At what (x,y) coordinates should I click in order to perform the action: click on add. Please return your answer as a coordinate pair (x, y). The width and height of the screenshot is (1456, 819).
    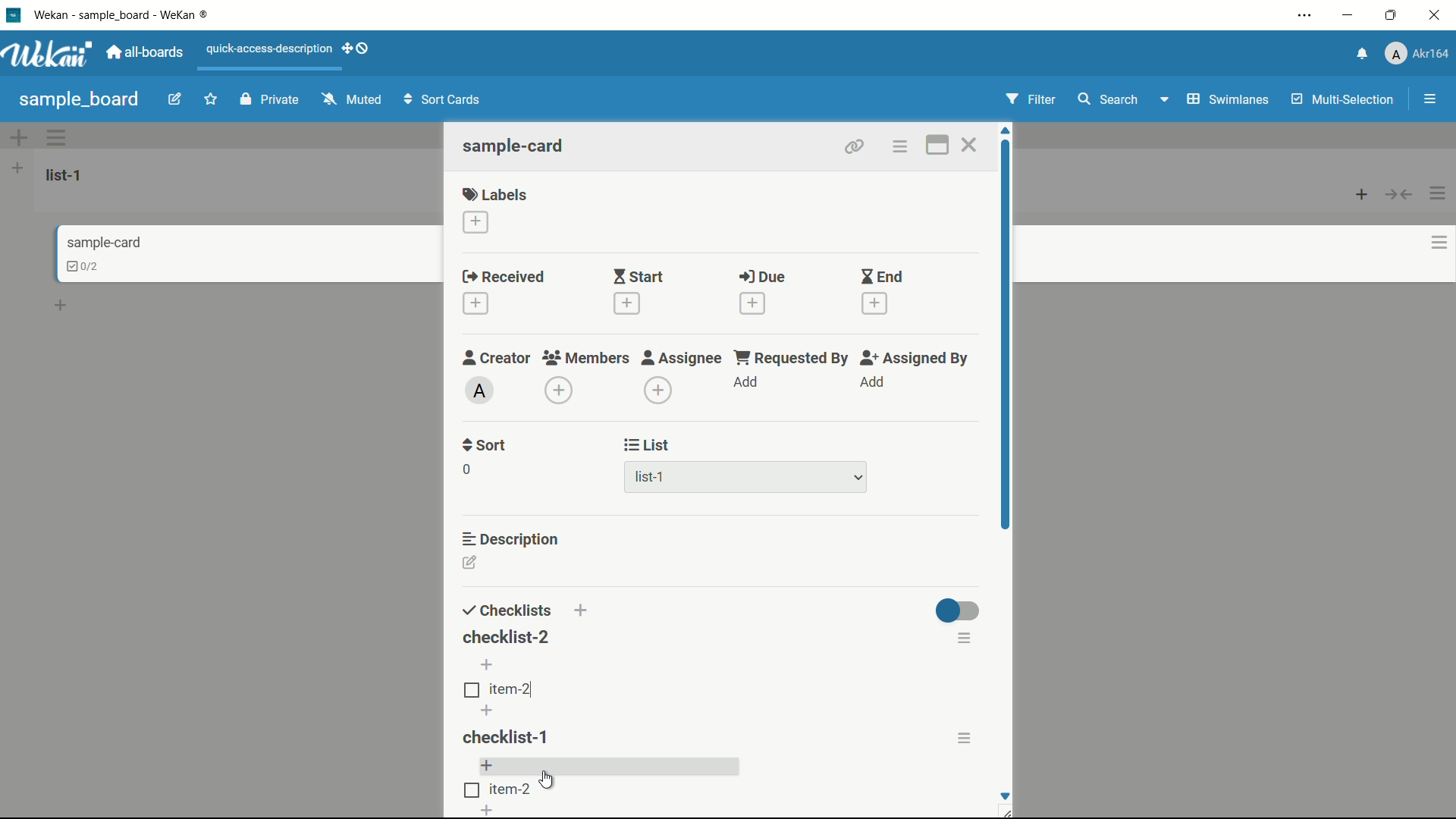
    Looking at the image, I should click on (747, 383).